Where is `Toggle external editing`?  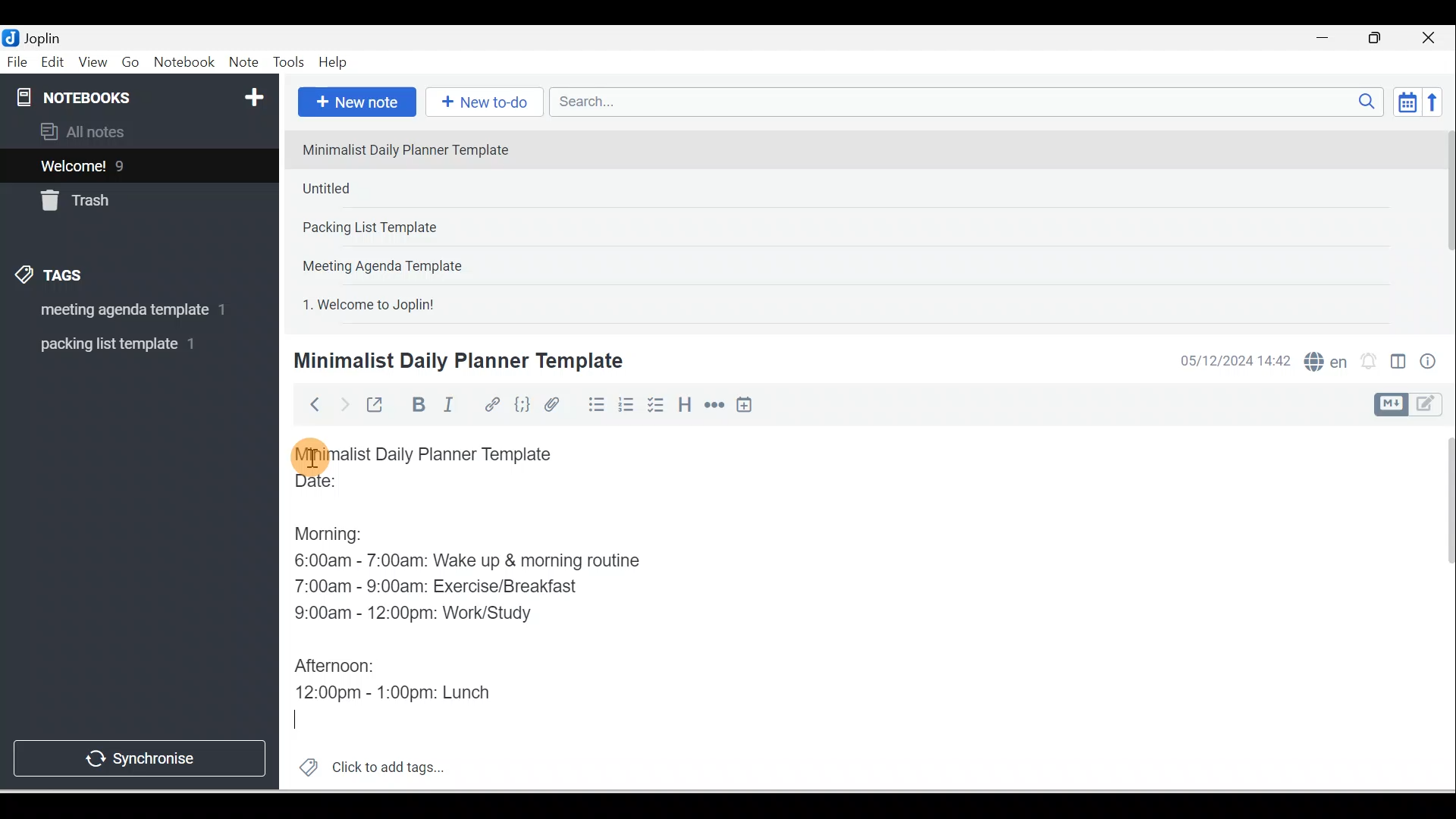 Toggle external editing is located at coordinates (377, 408).